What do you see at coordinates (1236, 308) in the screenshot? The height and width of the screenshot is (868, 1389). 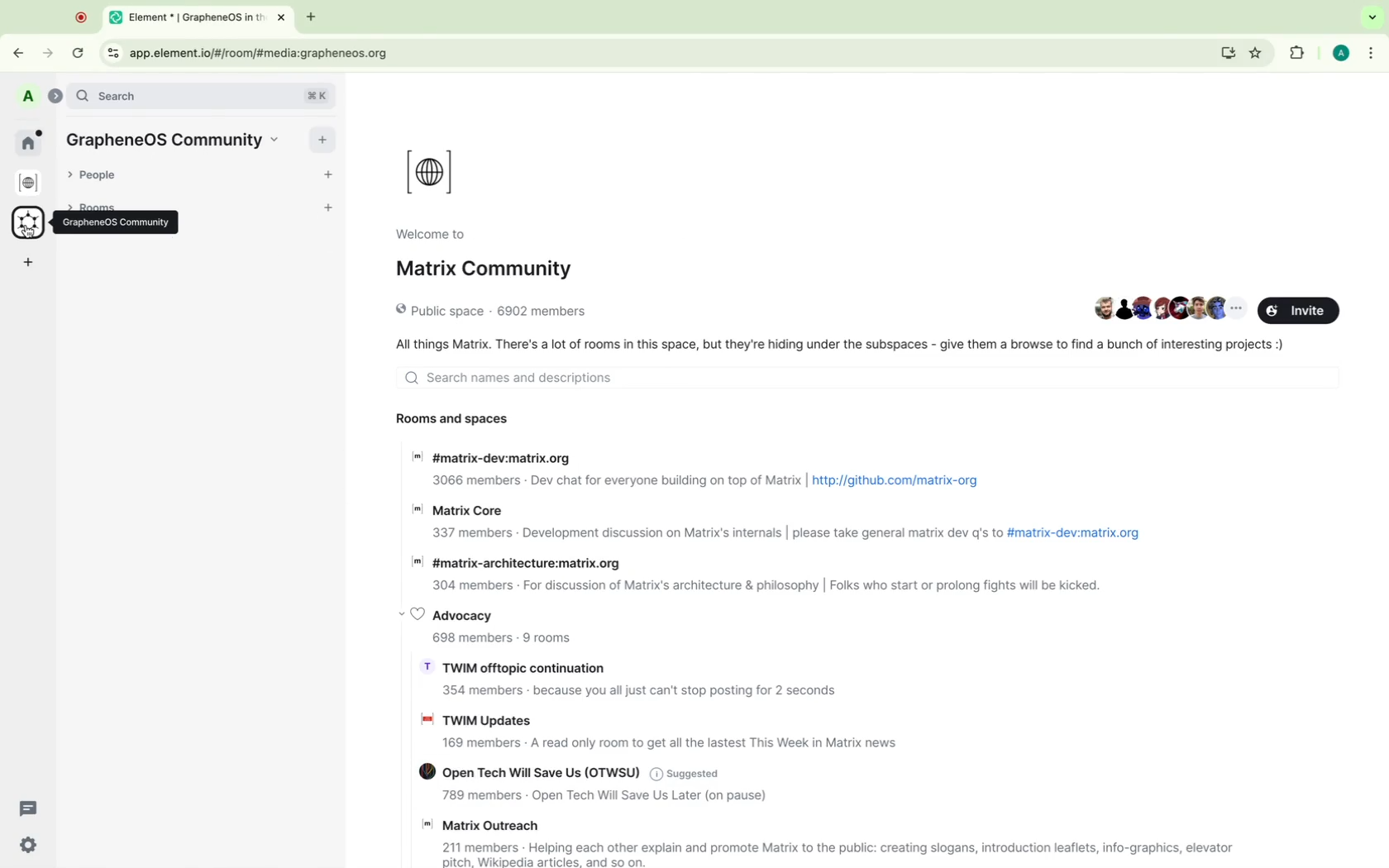 I see `view more` at bounding box center [1236, 308].